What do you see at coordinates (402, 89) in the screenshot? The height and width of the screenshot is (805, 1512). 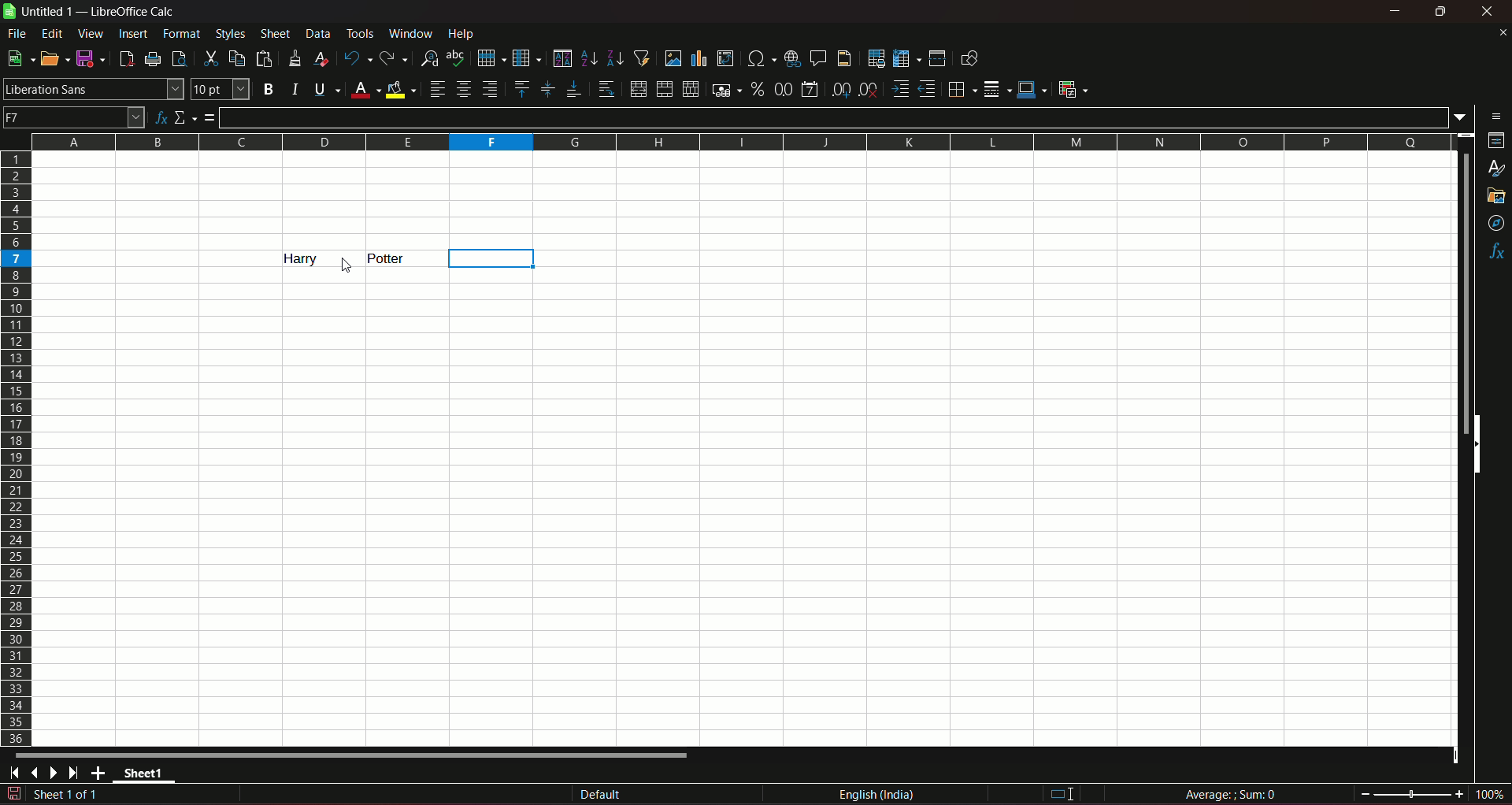 I see `background color` at bounding box center [402, 89].